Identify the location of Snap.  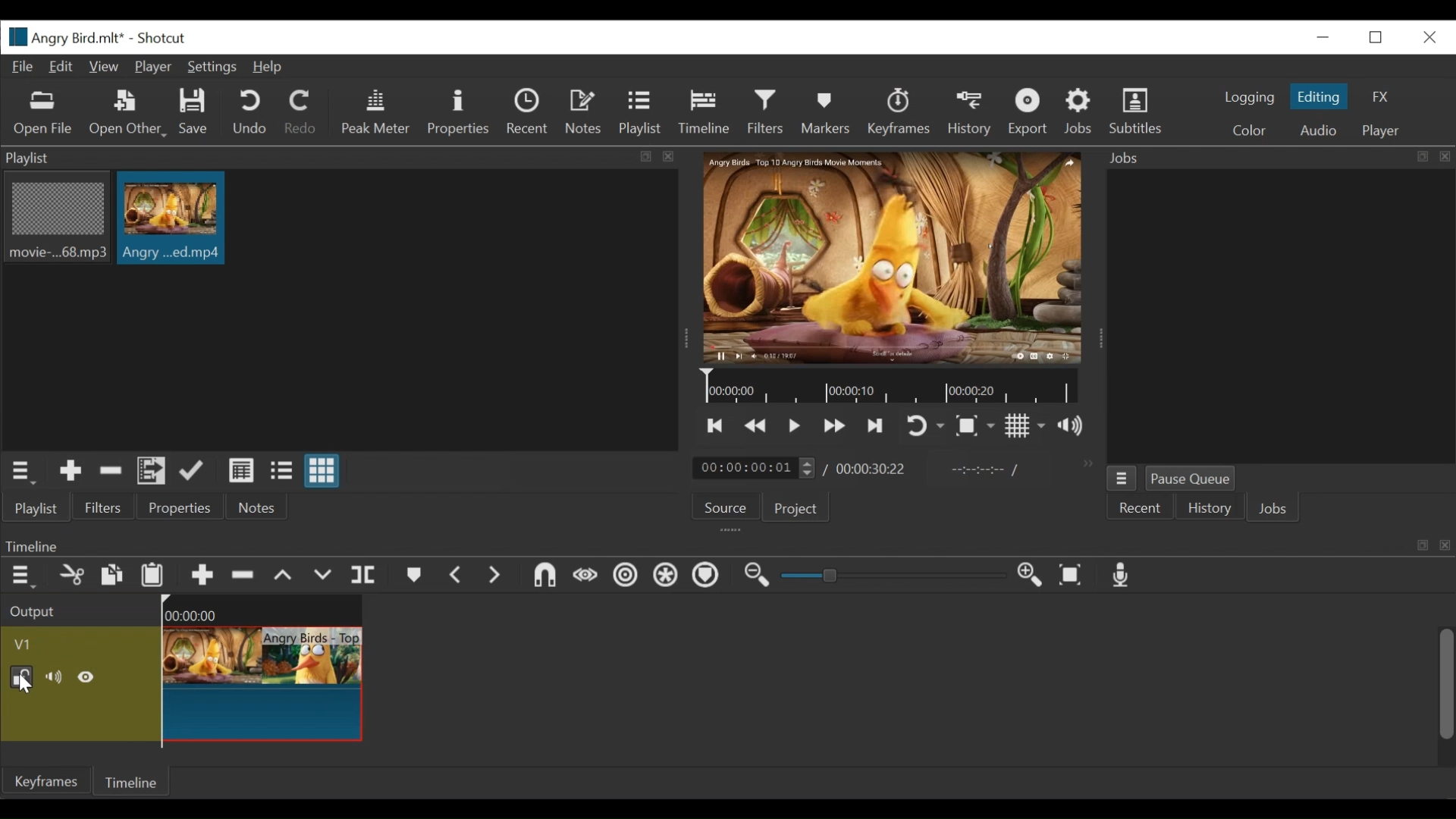
(545, 578).